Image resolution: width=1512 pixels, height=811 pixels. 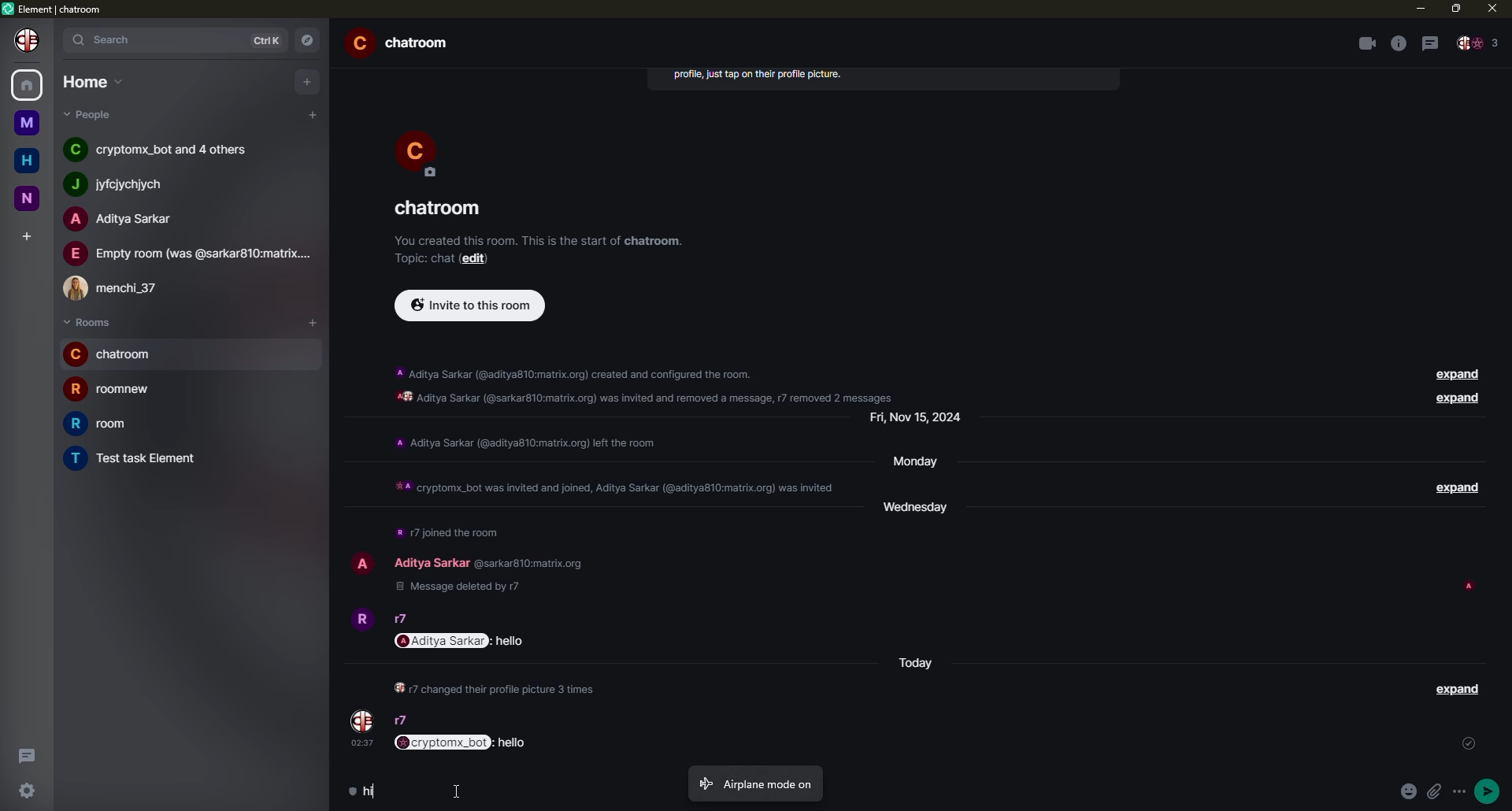 I want to click on room, so click(x=102, y=423).